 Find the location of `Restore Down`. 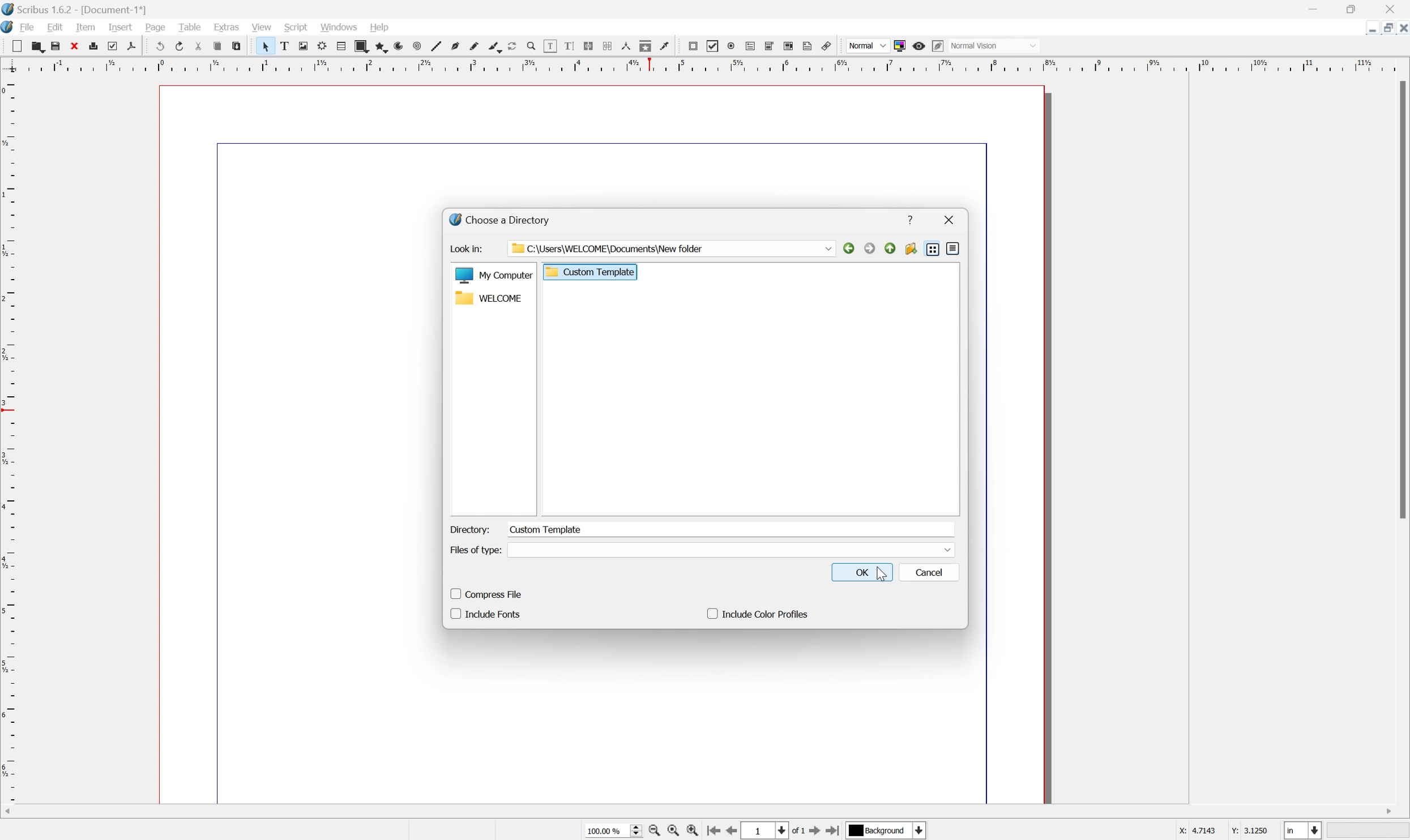

Restore Down is located at coordinates (1355, 10).